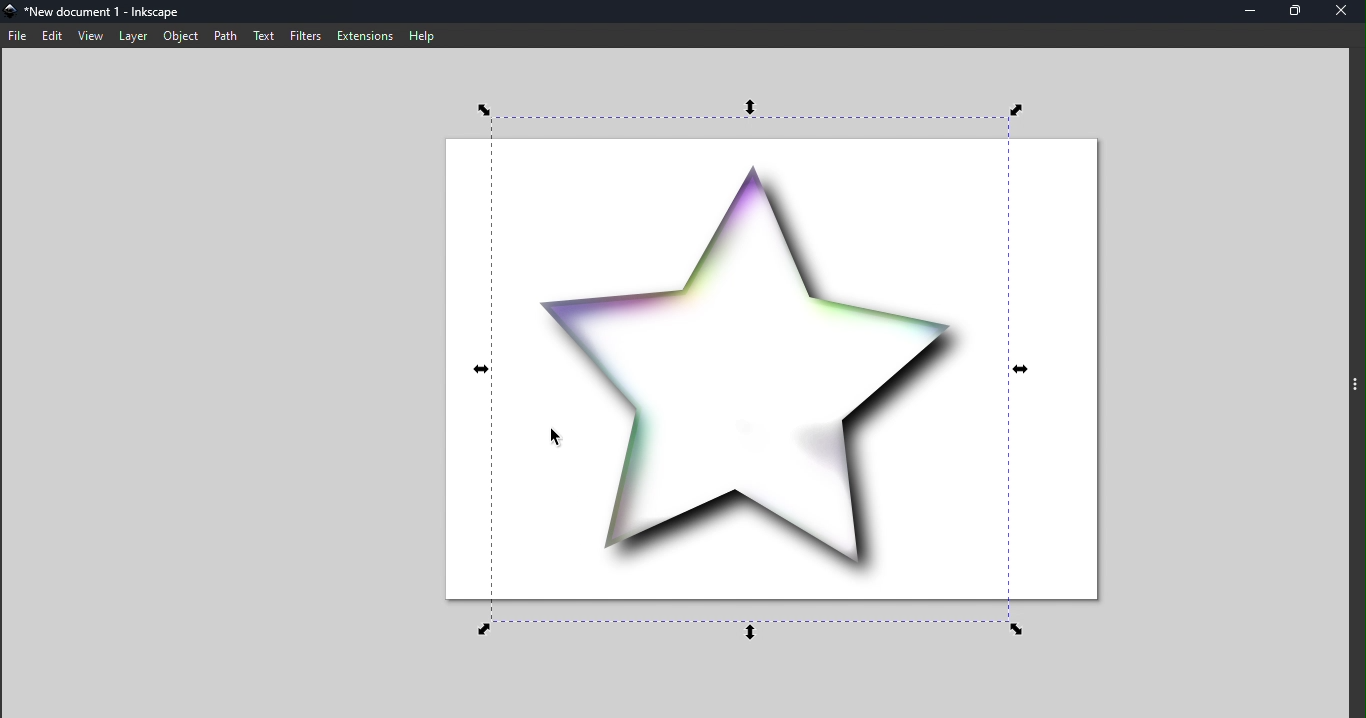  I want to click on Path, so click(228, 37).